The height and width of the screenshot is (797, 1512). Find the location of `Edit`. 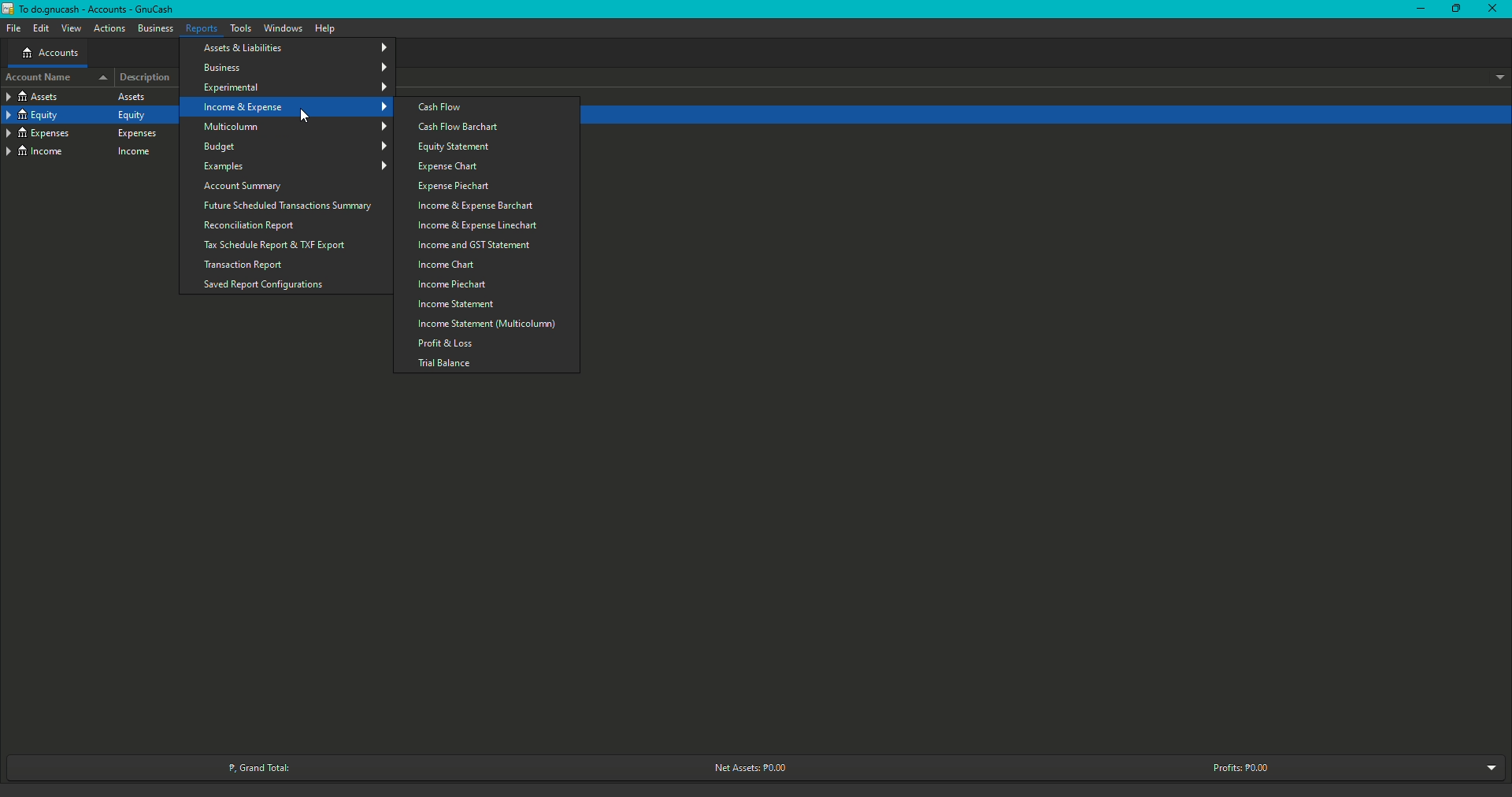

Edit is located at coordinates (41, 28).